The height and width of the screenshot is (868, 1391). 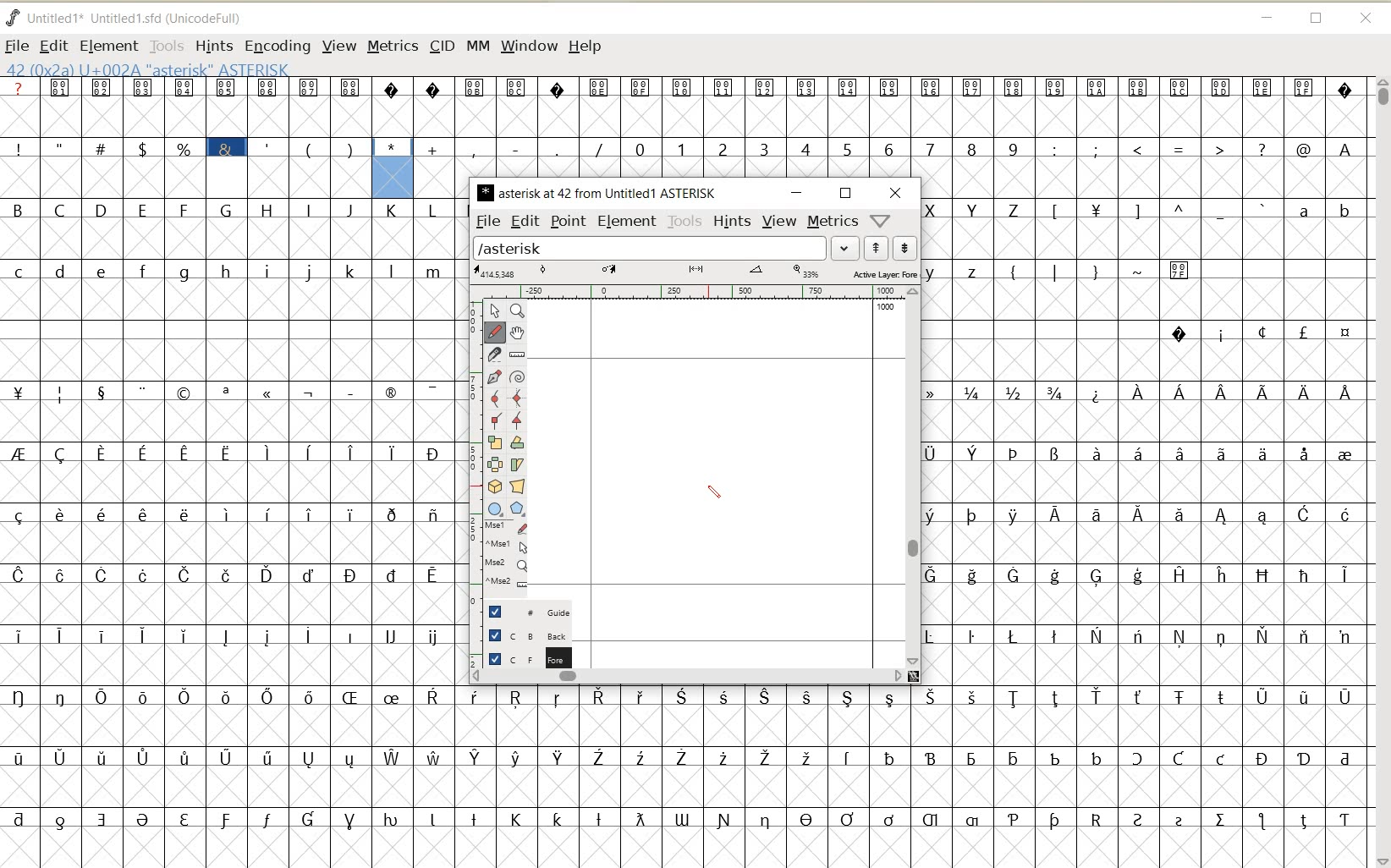 What do you see at coordinates (393, 168) in the screenshot?
I see `glyph selected` at bounding box center [393, 168].